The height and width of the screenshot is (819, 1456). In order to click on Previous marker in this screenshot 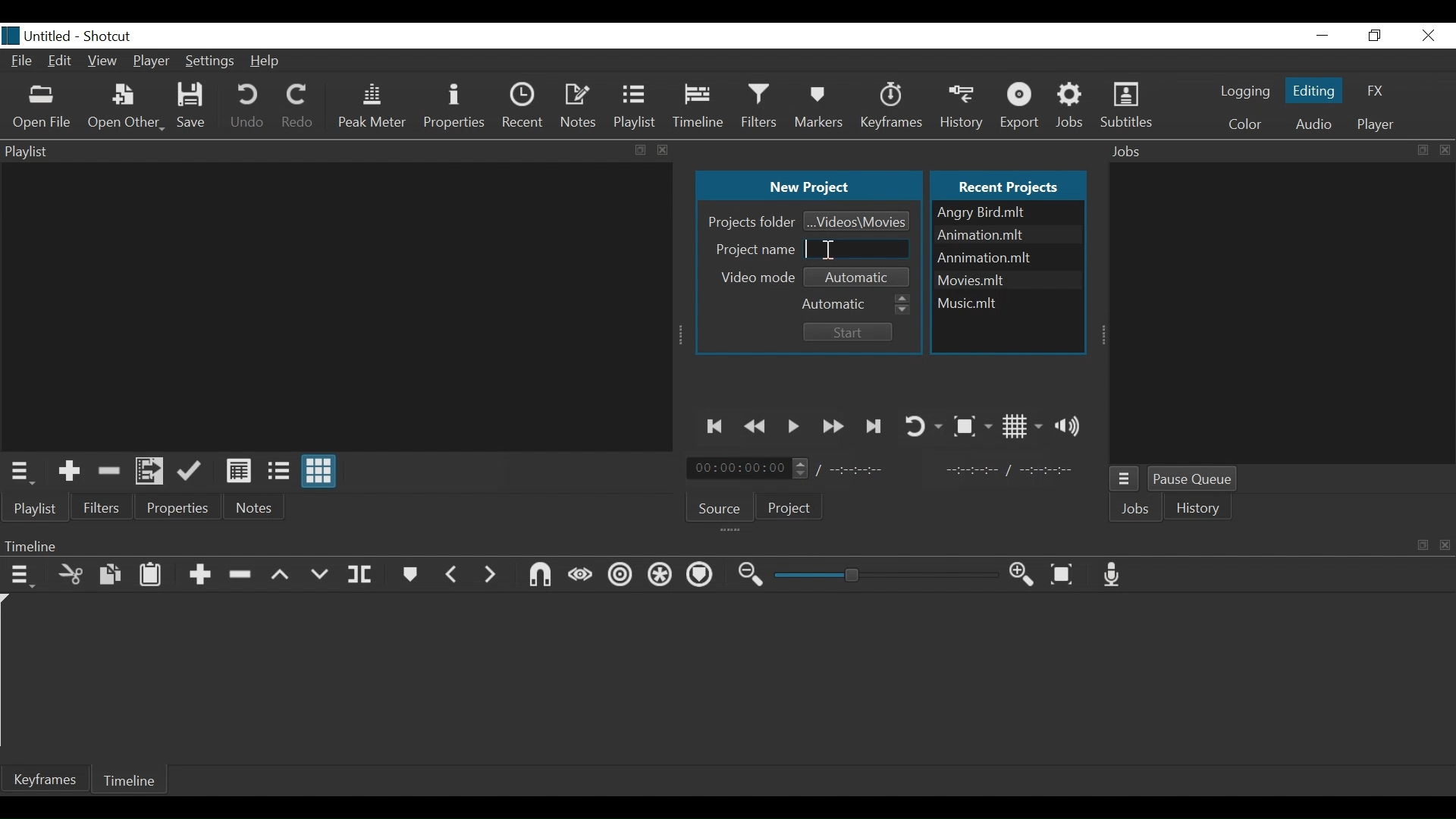, I will do `click(452, 573)`.